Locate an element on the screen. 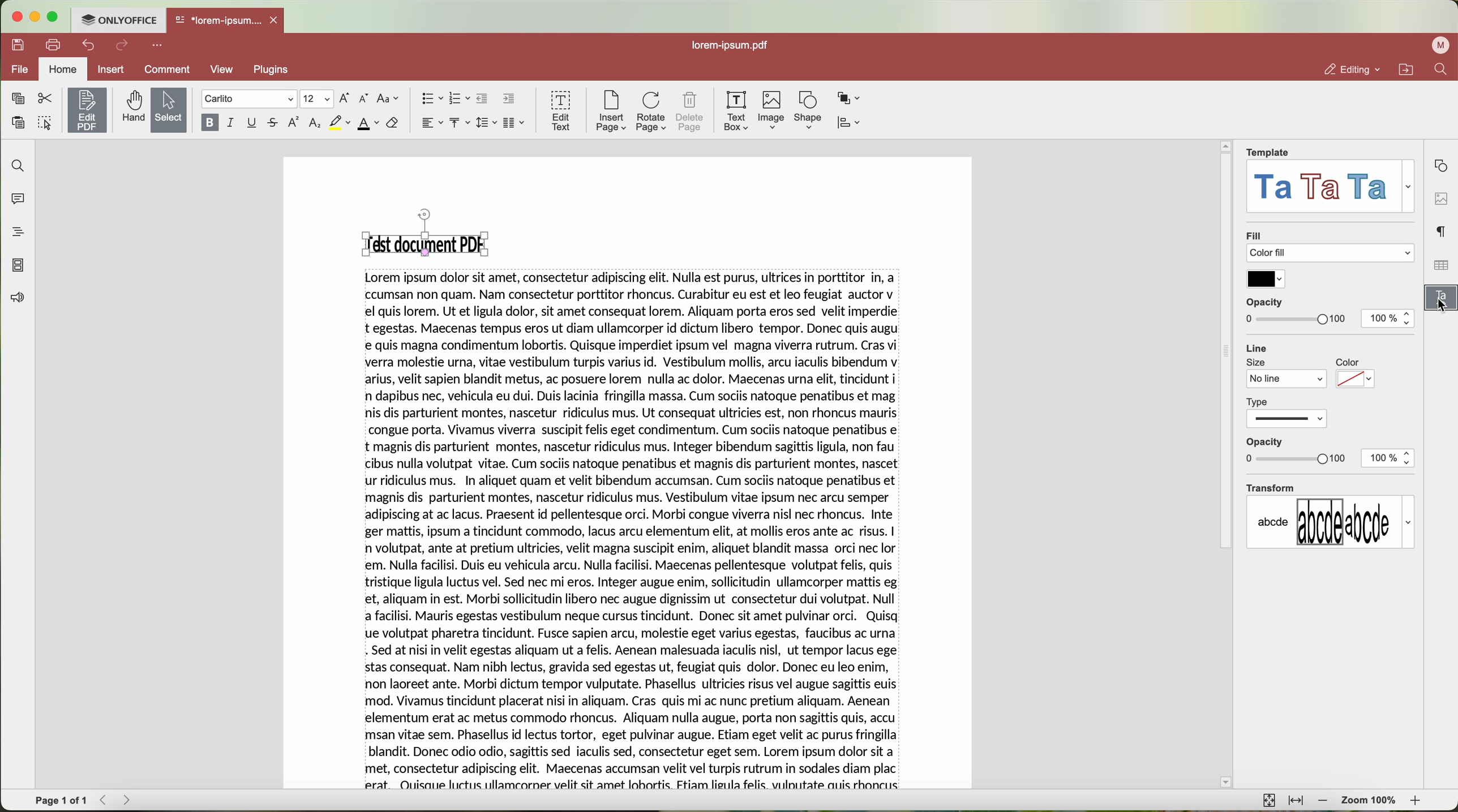 This screenshot has width=1458, height=812. close program is located at coordinates (19, 16).